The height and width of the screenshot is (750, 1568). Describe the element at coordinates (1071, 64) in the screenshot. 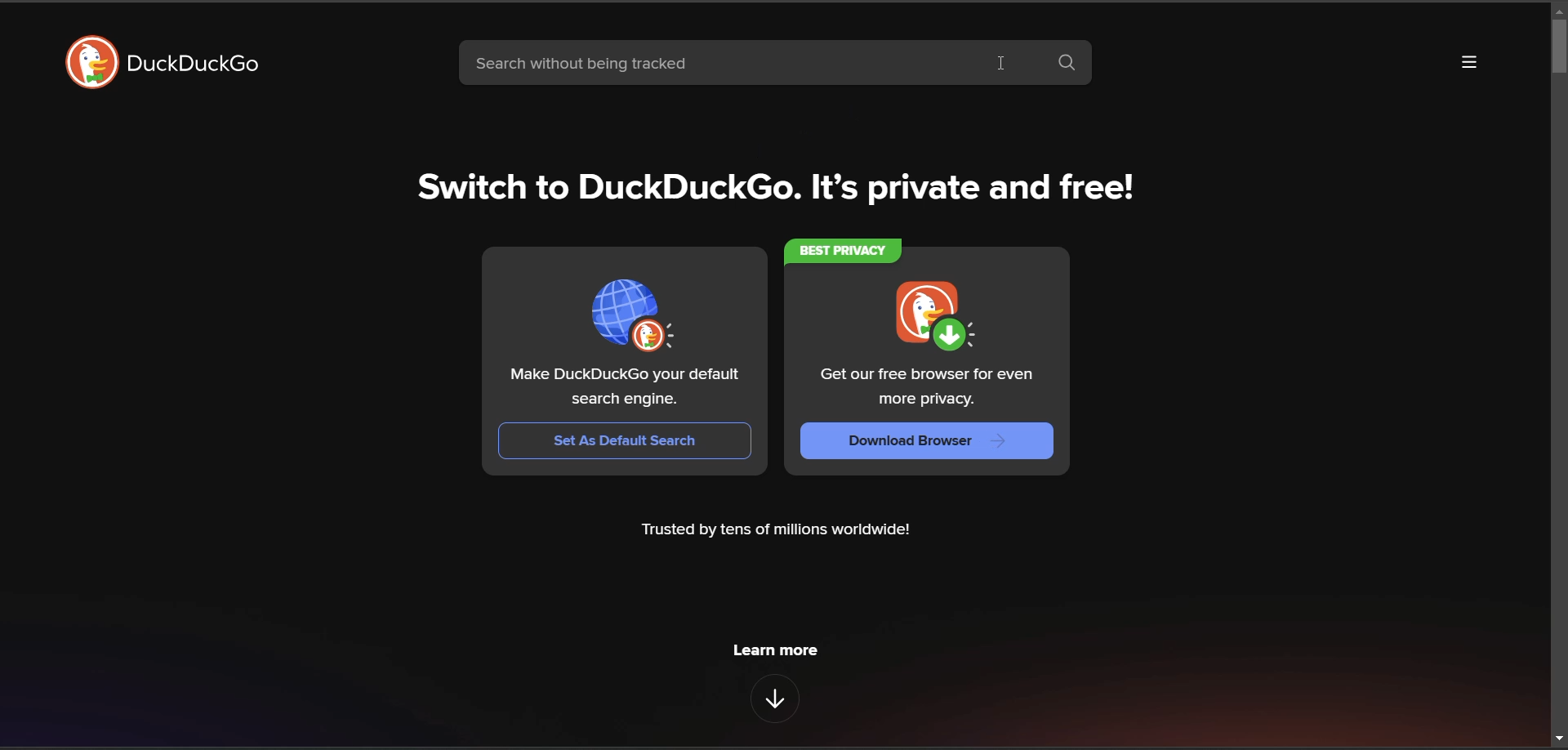

I see `search button` at that location.